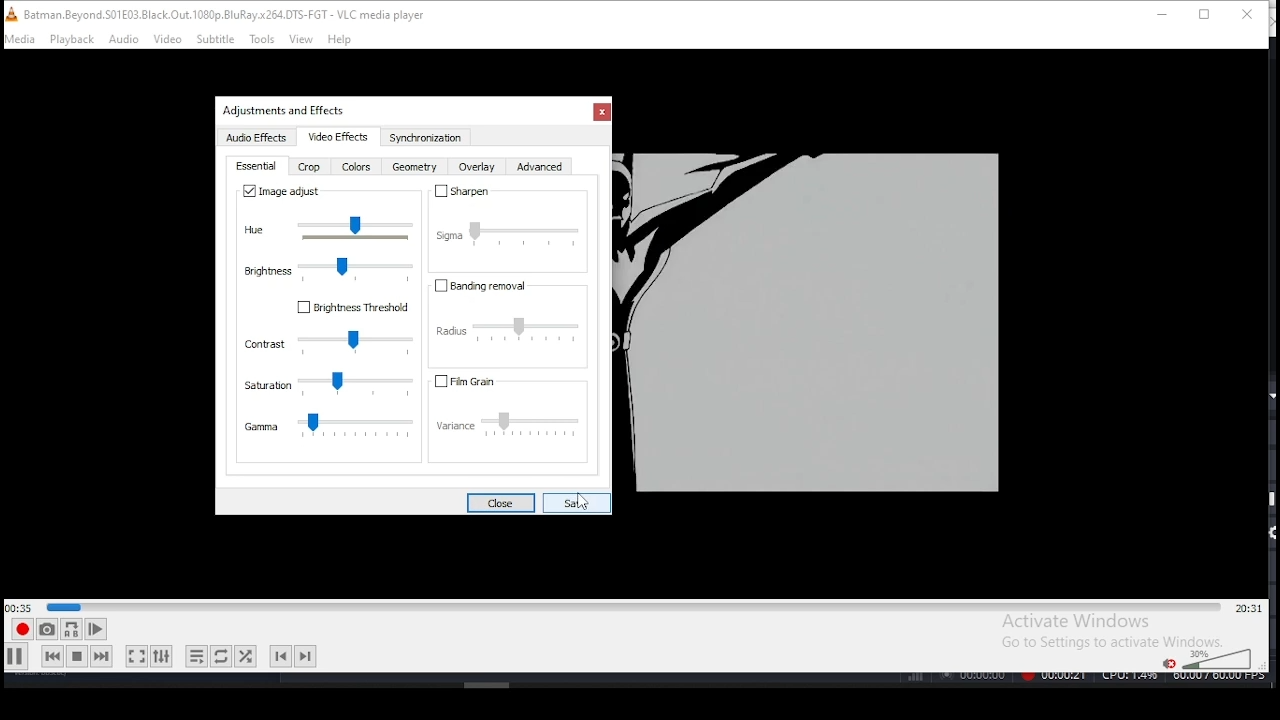 This screenshot has height=720, width=1280. I want to click on geometry, so click(413, 170).